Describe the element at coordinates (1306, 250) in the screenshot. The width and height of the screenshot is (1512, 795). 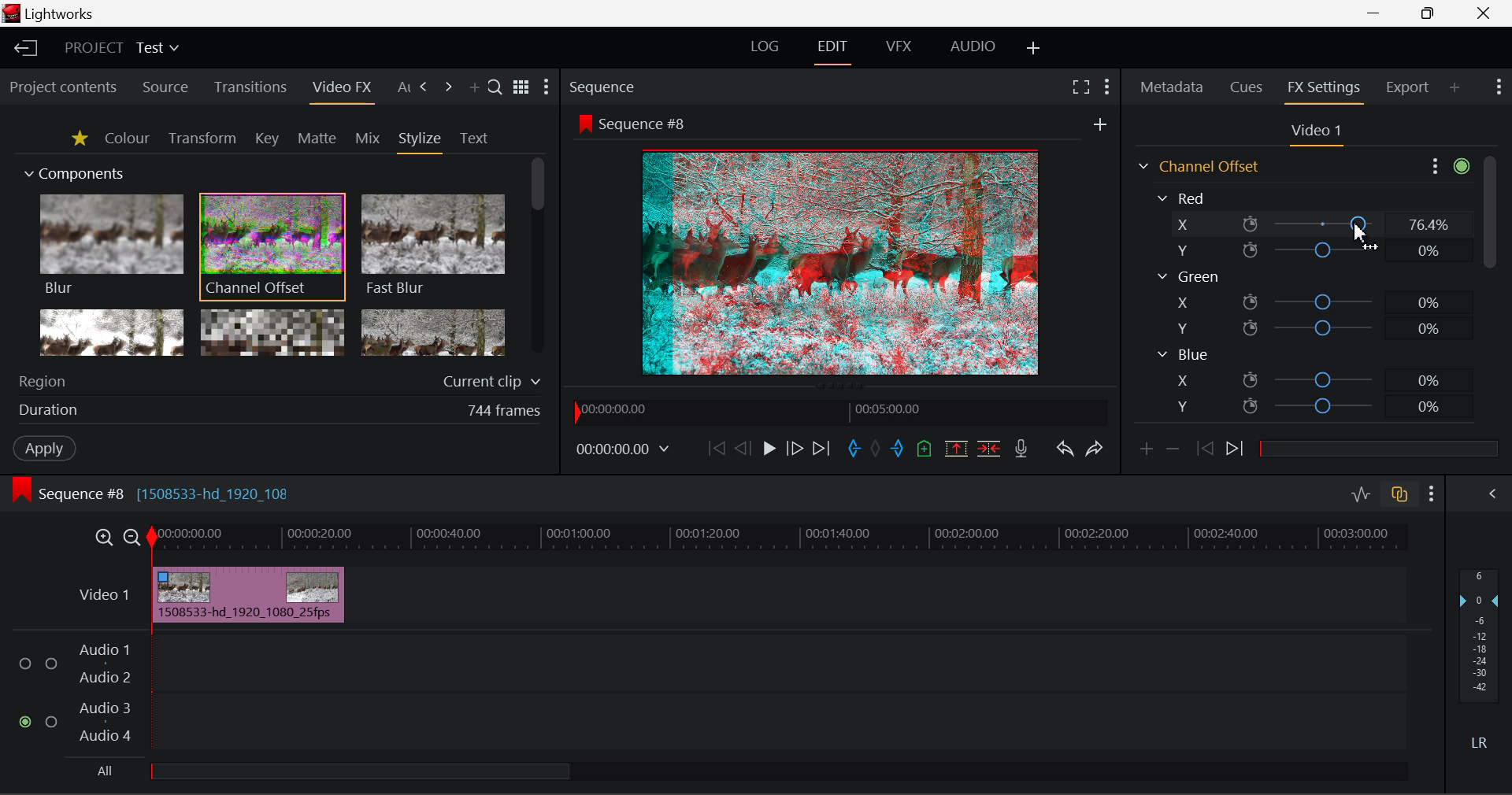
I see `Red Y` at that location.